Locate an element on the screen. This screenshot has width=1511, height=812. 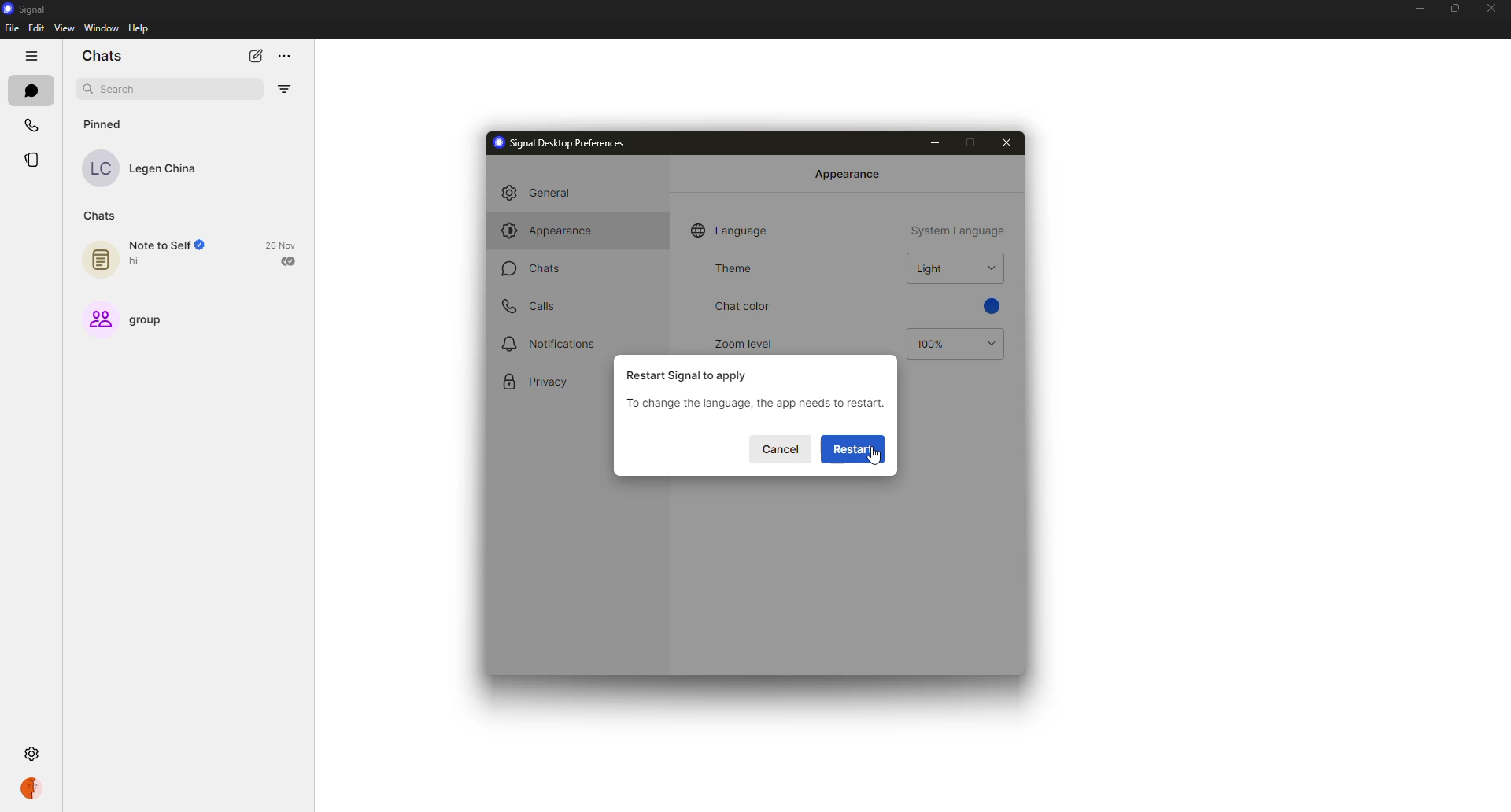
filter is located at coordinates (286, 88).